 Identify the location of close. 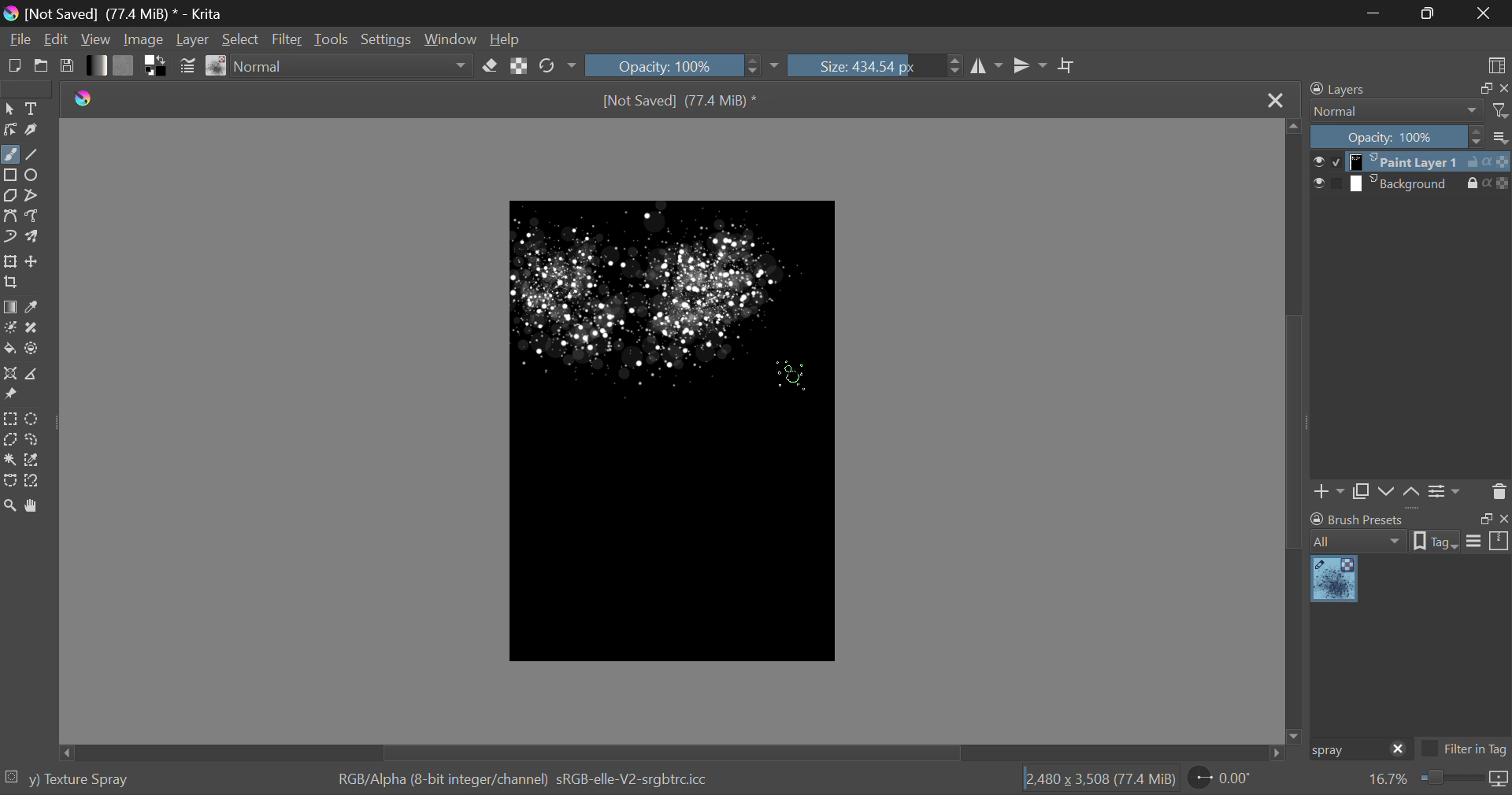
(1503, 89).